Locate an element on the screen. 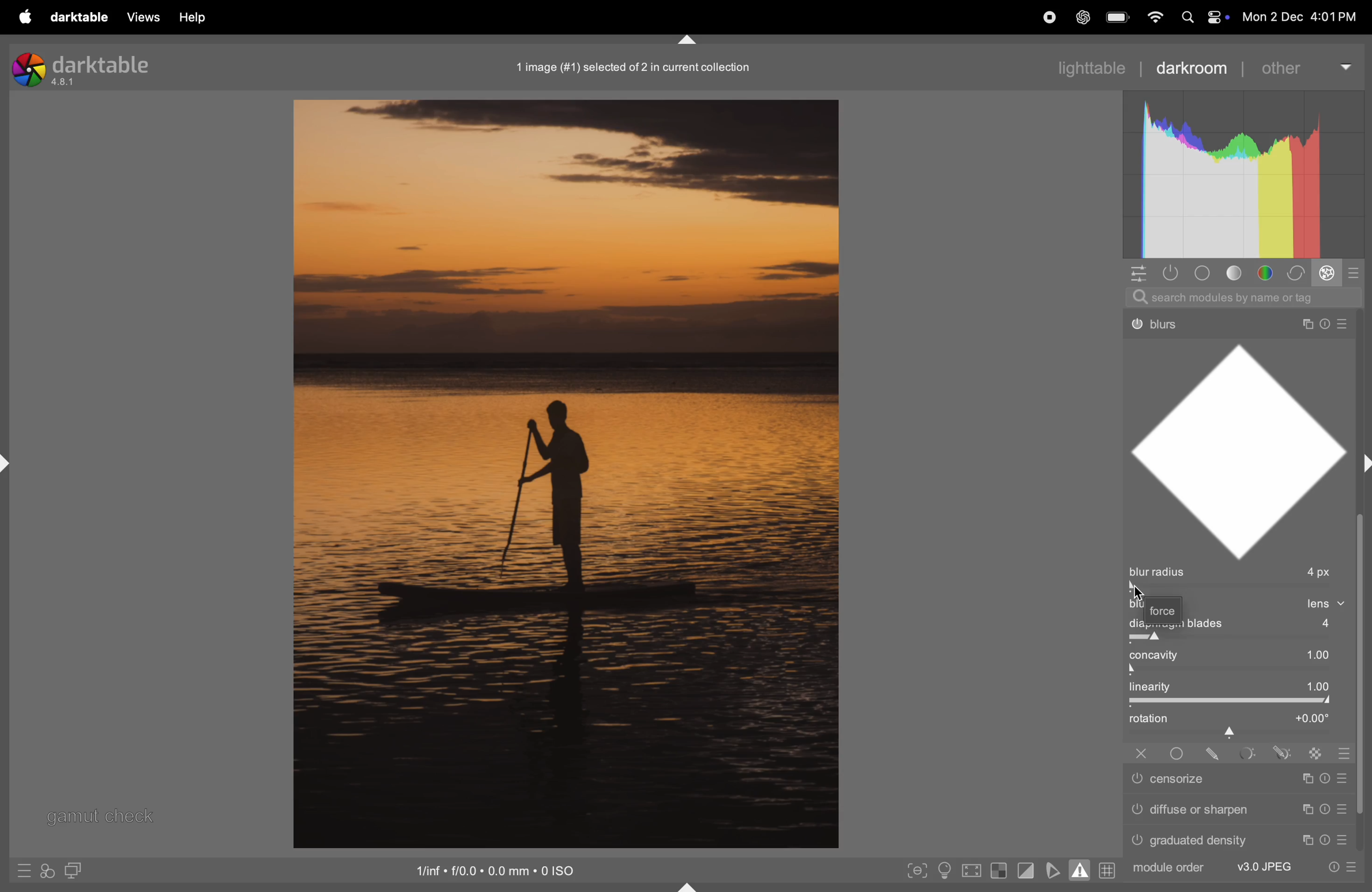  apple widgets is located at coordinates (1201, 17).